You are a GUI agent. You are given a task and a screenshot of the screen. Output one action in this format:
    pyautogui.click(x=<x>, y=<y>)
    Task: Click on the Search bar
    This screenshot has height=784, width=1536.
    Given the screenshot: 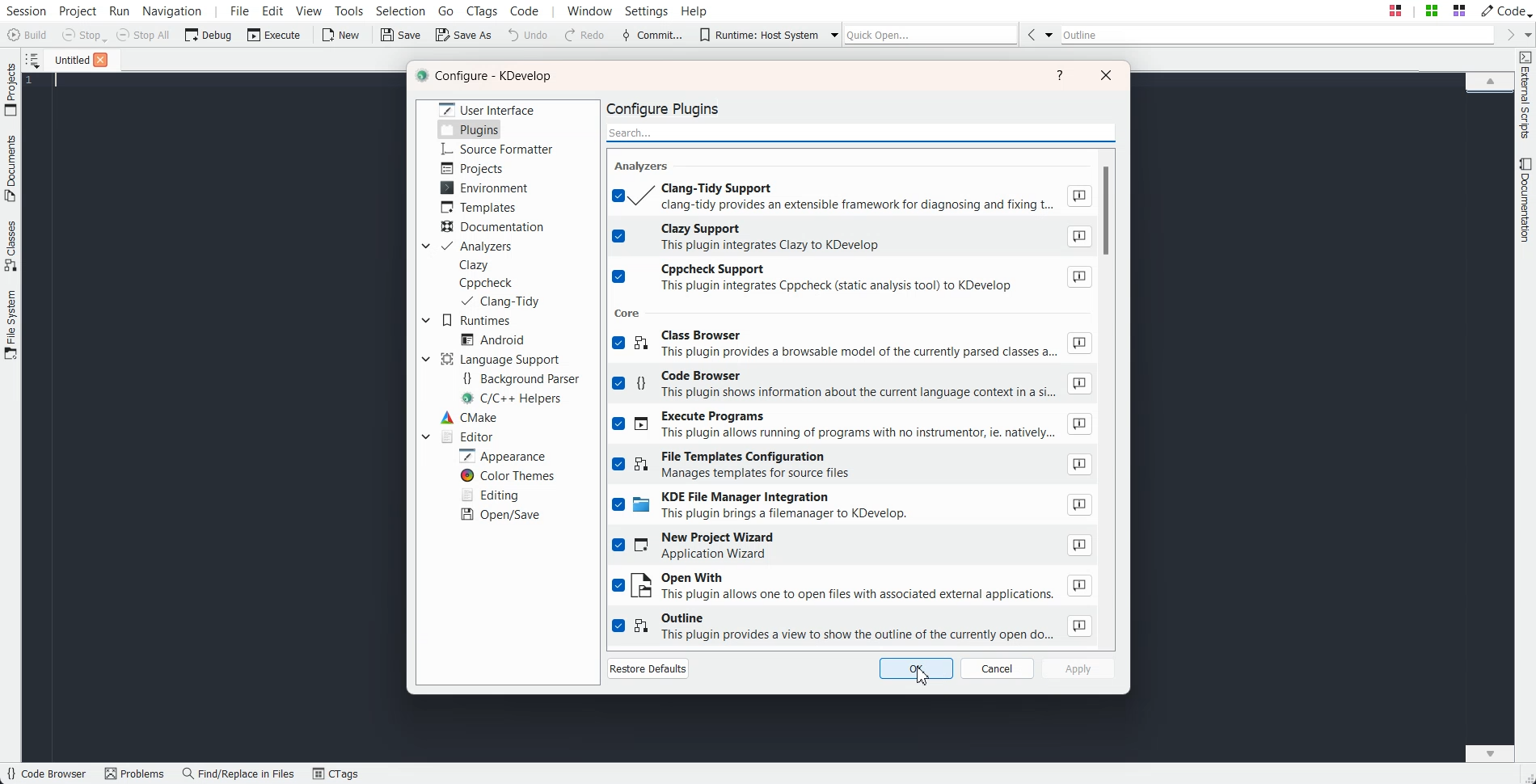 What is the action you would take?
    pyautogui.click(x=862, y=131)
    